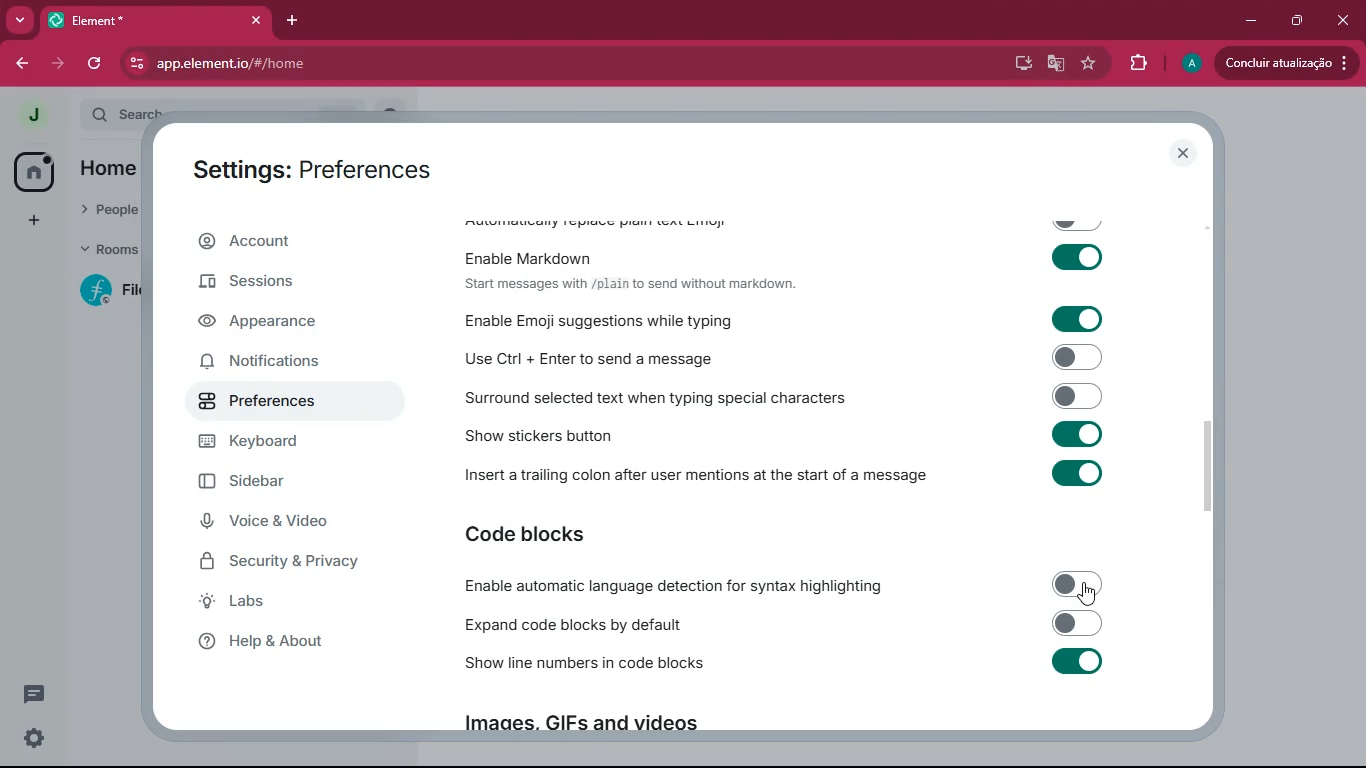 Image resolution: width=1366 pixels, height=768 pixels. Describe the element at coordinates (1191, 64) in the screenshot. I see `profile` at that location.